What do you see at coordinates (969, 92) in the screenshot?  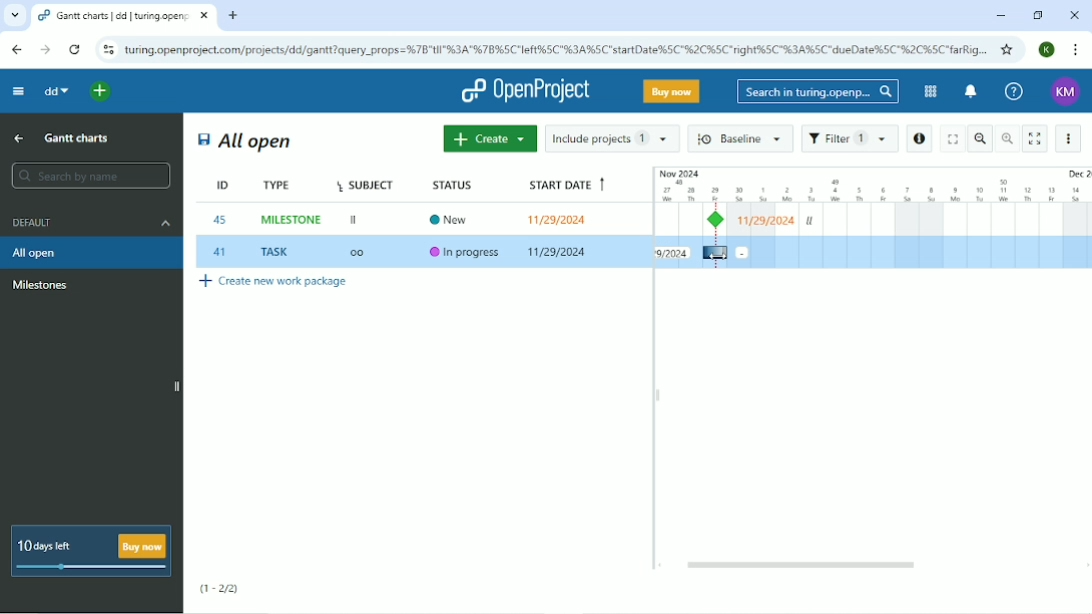 I see `To notification center` at bounding box center [969, 92].